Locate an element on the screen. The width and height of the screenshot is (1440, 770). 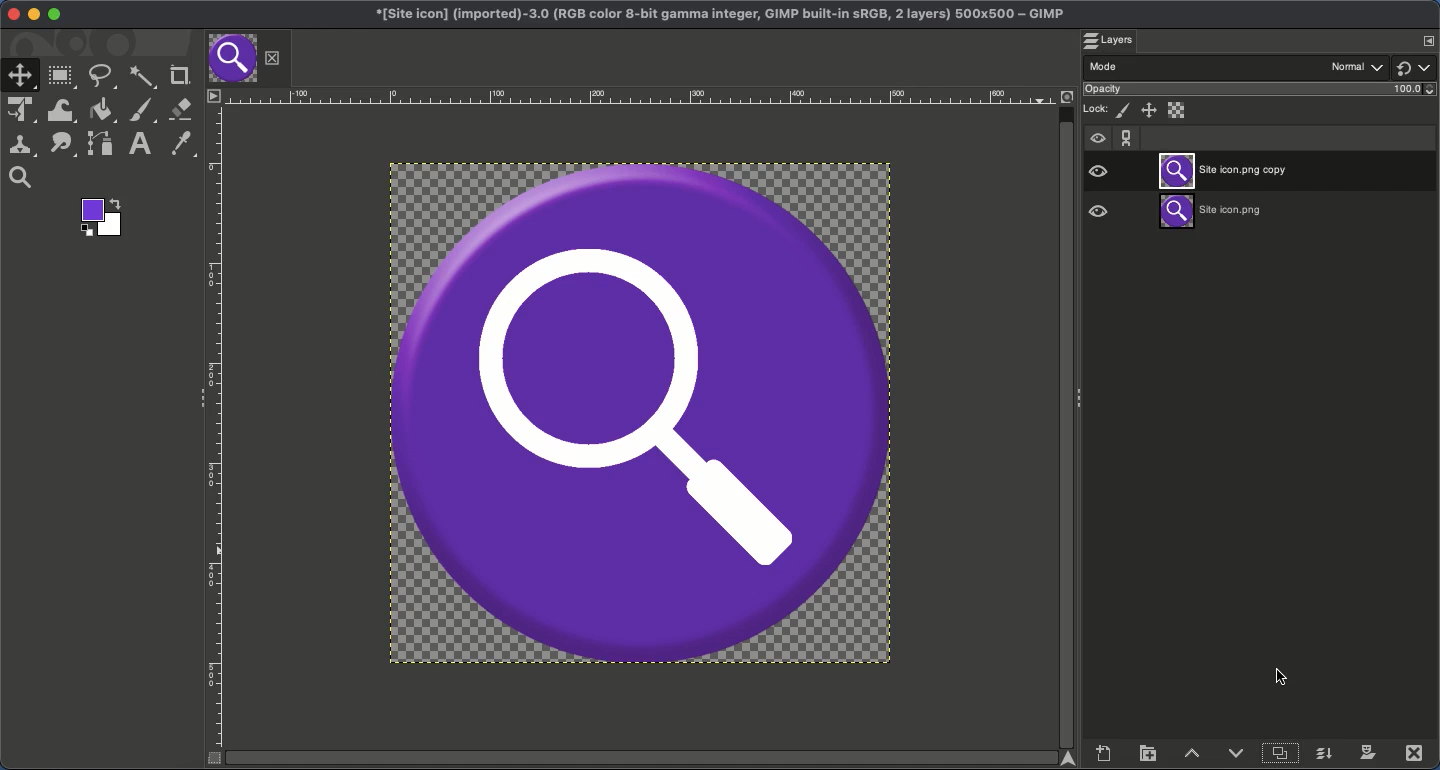
Lock is located at coordinates (1096, 108).